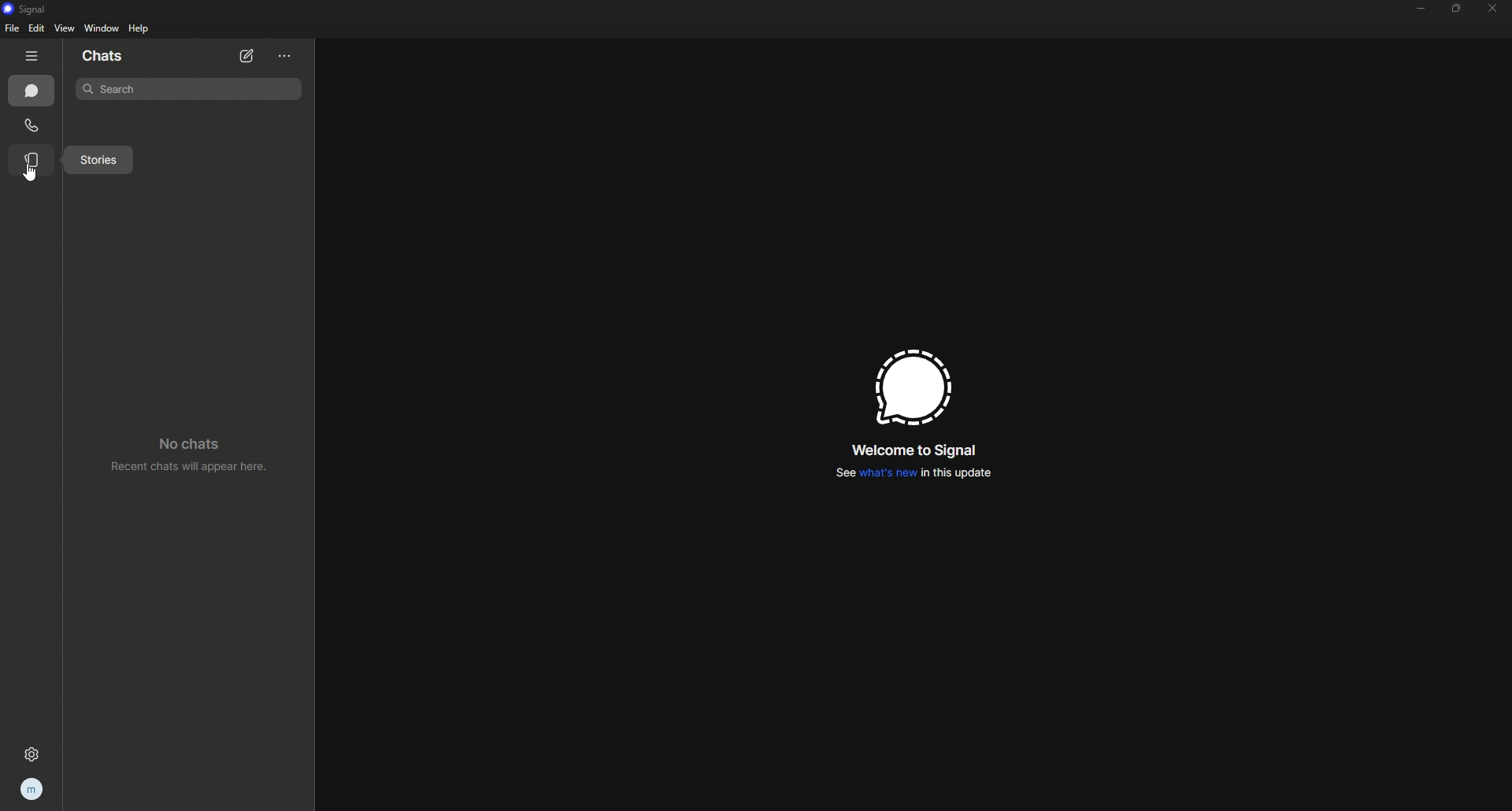 This screenshot has height=811, width=1512. What do you see at coordinates (1492, 7) in the screenshot?
I see `close` at bounding box center [1492, 7].